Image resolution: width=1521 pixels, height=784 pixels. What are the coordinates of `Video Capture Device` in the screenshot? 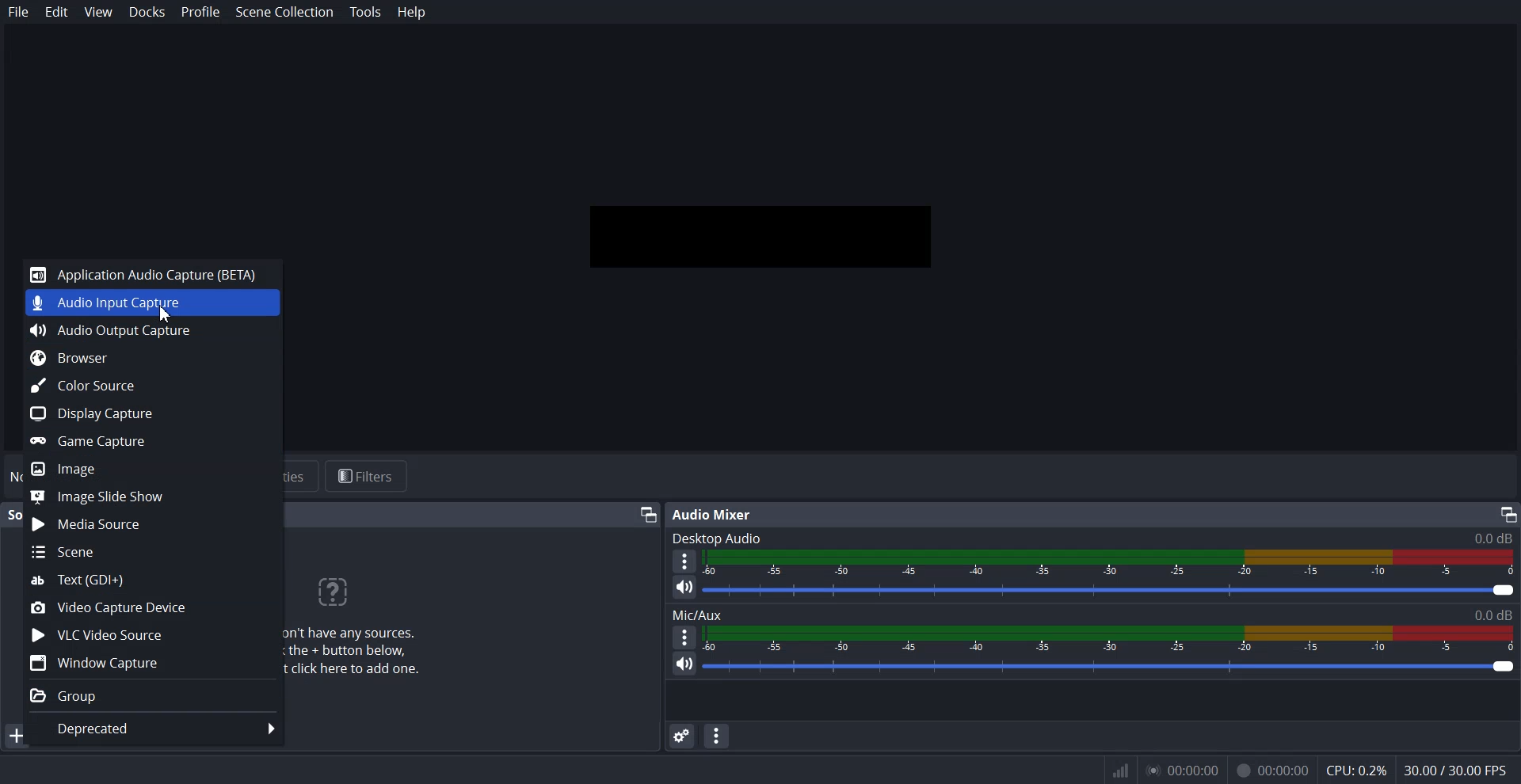 It's located at (152, 607).